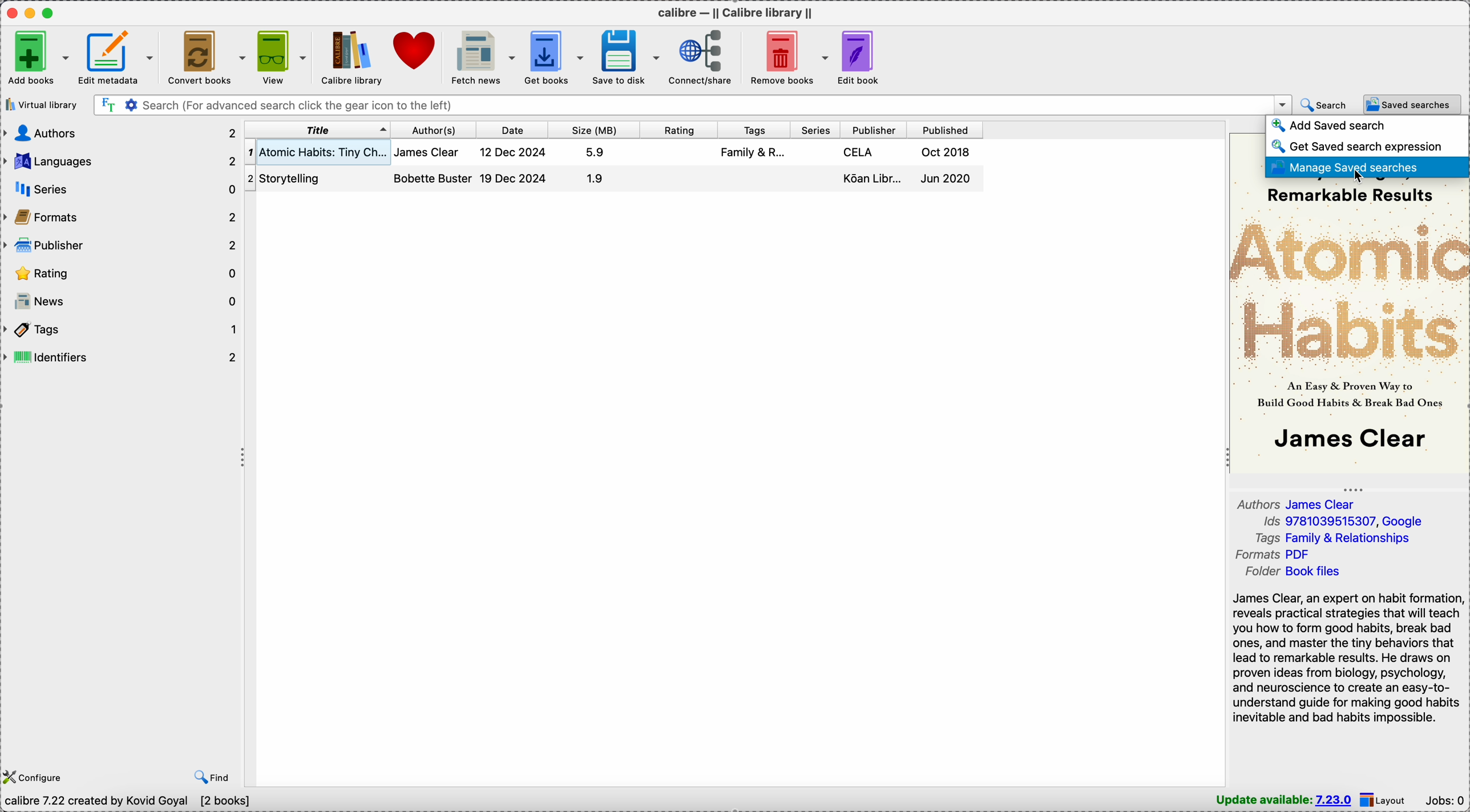 The width and height of the screenshot is (1470, 812). I want to click on storytelling, so click(297, 177).